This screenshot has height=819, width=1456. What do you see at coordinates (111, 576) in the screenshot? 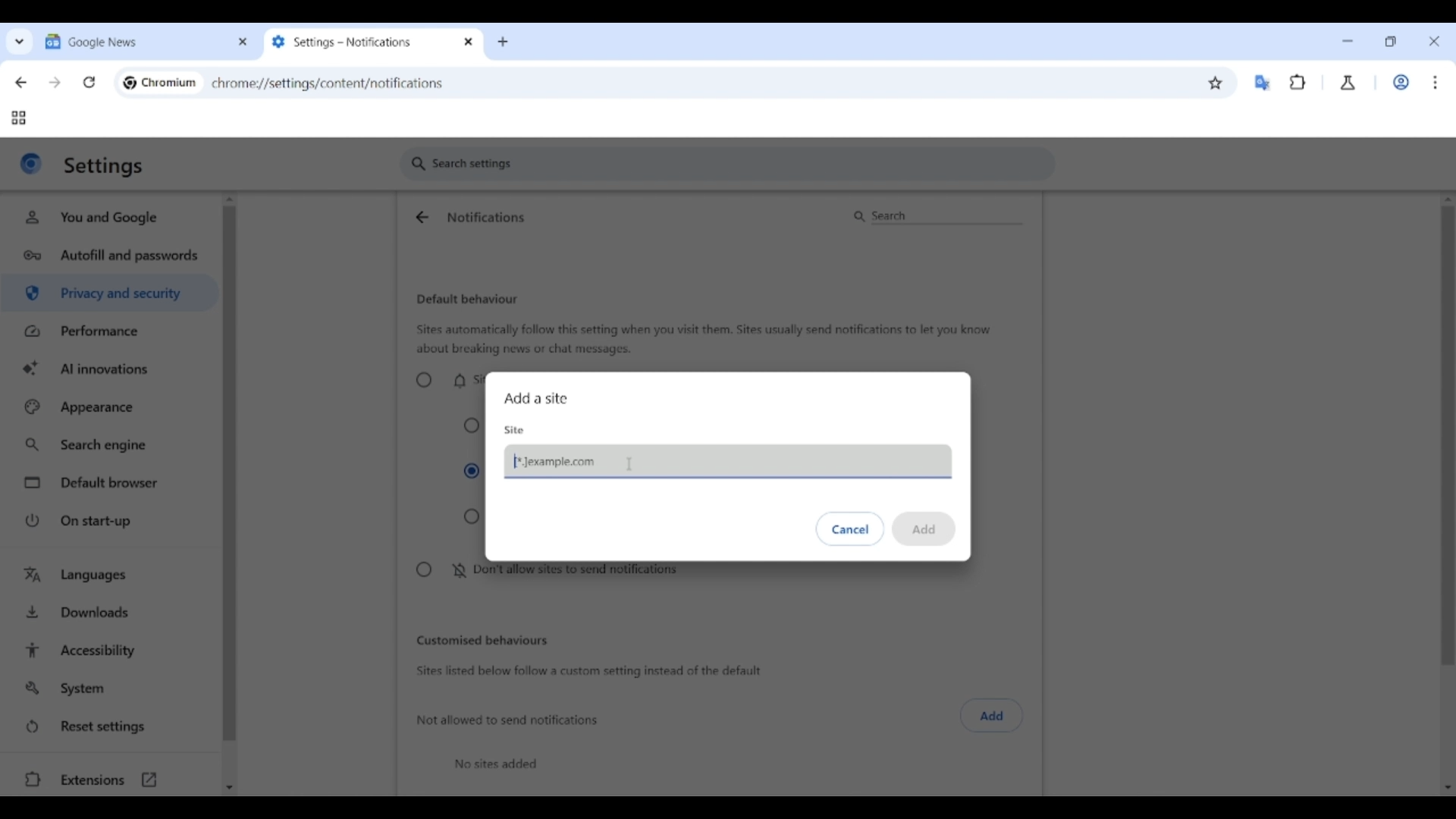
I see `Languages` at bounding box center [111, 576].